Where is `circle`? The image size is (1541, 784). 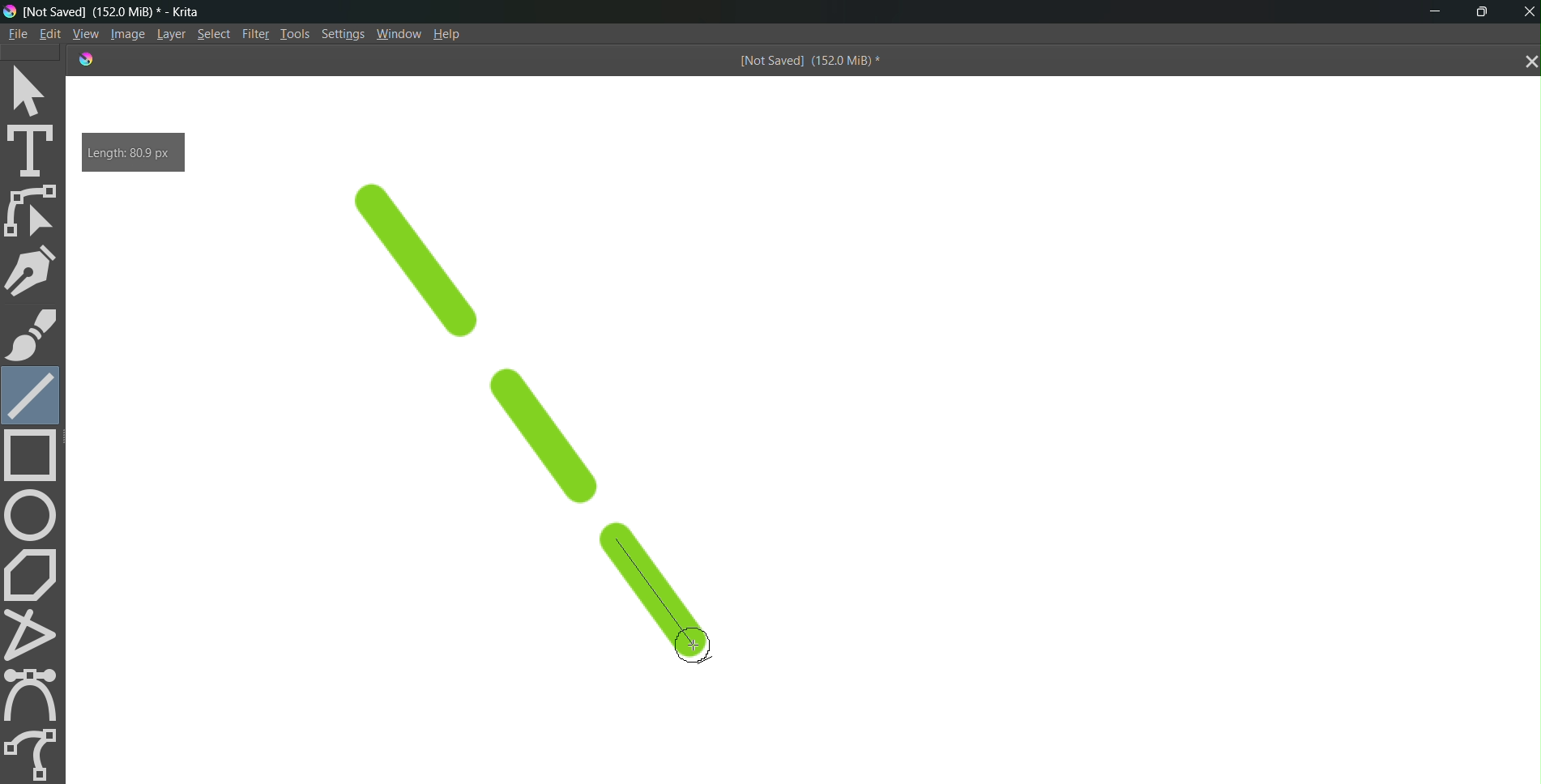
circle is located at coordinates (32, 514).